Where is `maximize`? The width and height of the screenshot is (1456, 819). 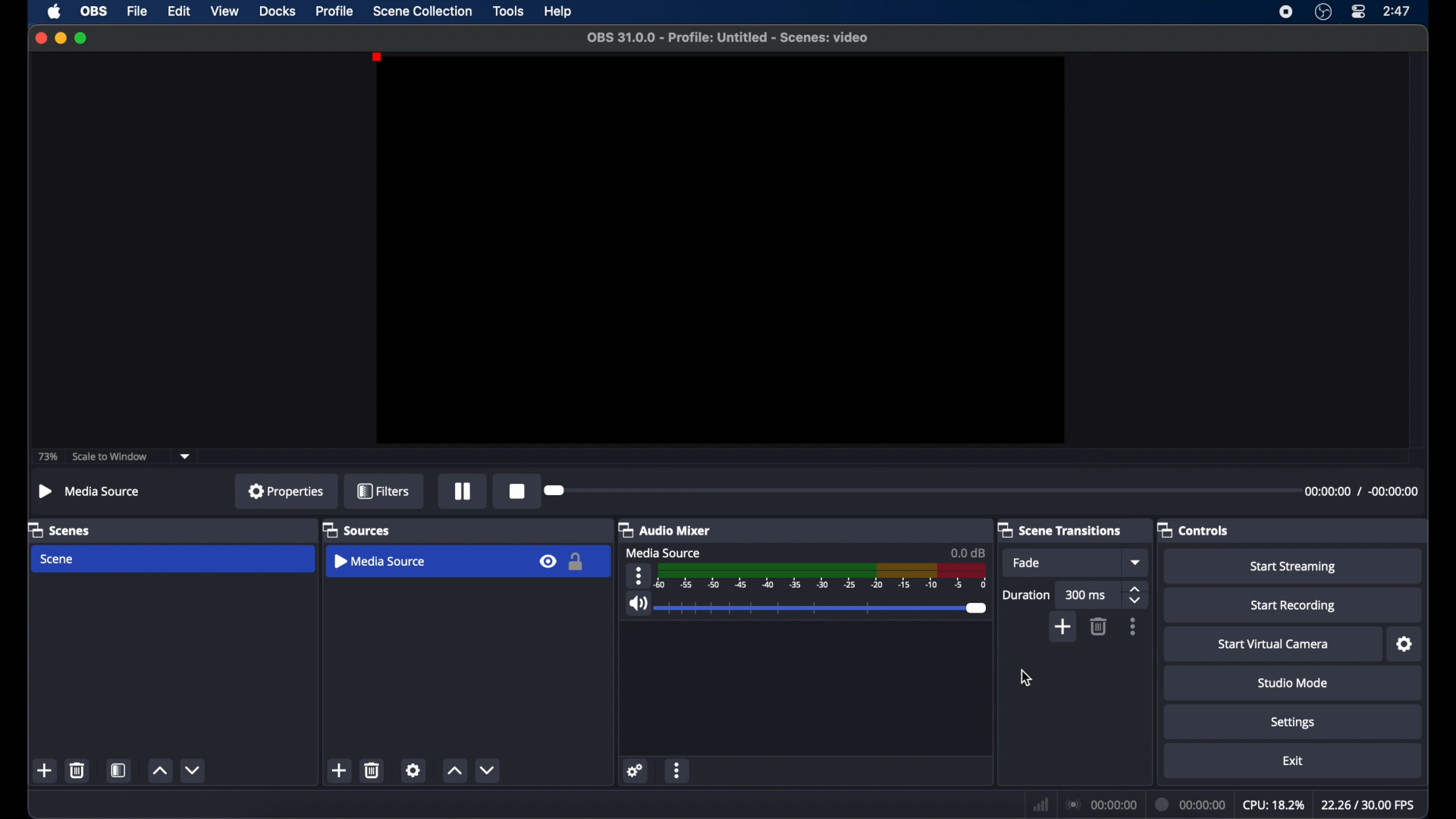 maximize is located at coordinates (82, 39).